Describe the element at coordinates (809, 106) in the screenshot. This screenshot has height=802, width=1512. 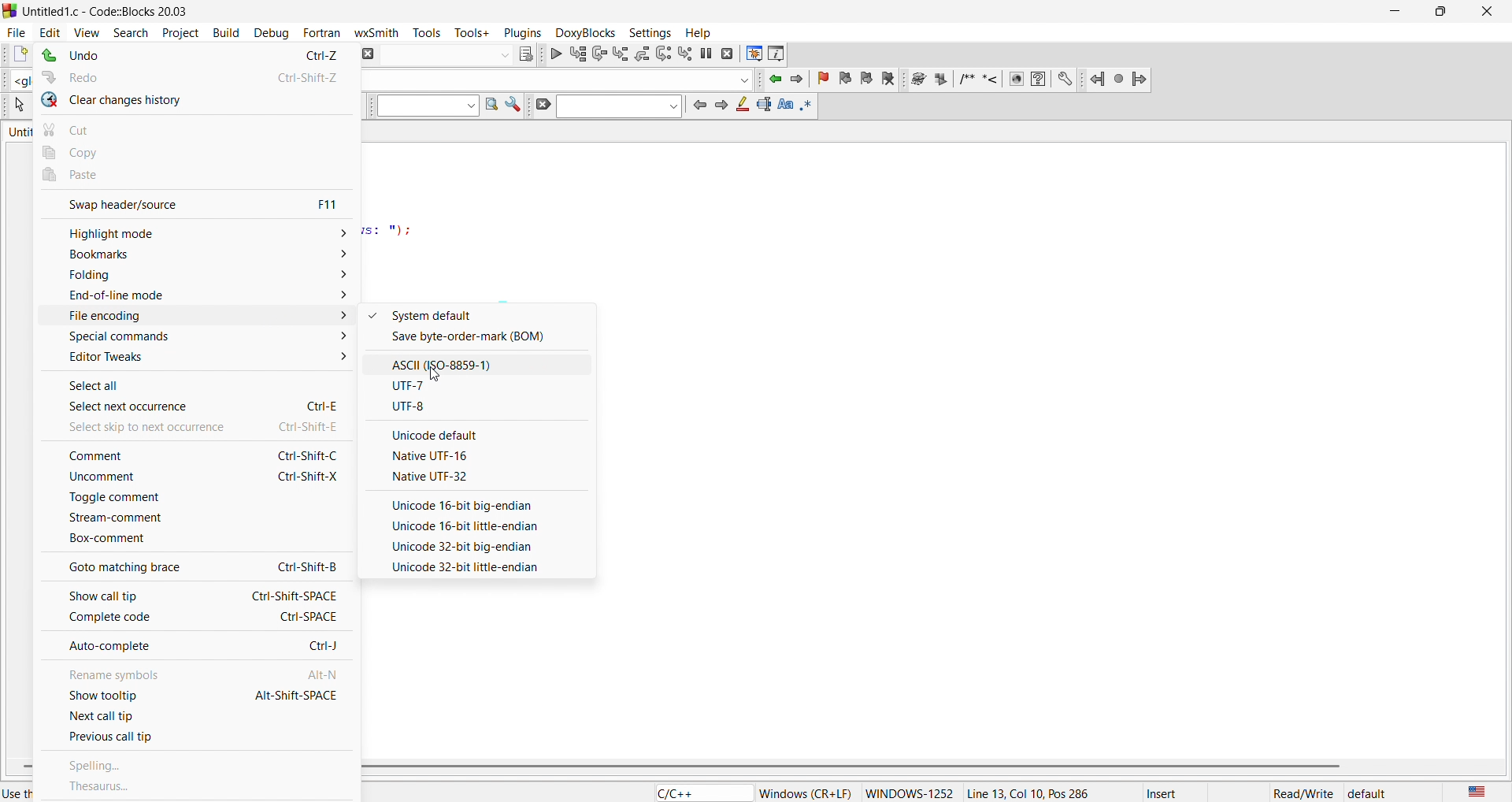
I see `use regex` at that location.